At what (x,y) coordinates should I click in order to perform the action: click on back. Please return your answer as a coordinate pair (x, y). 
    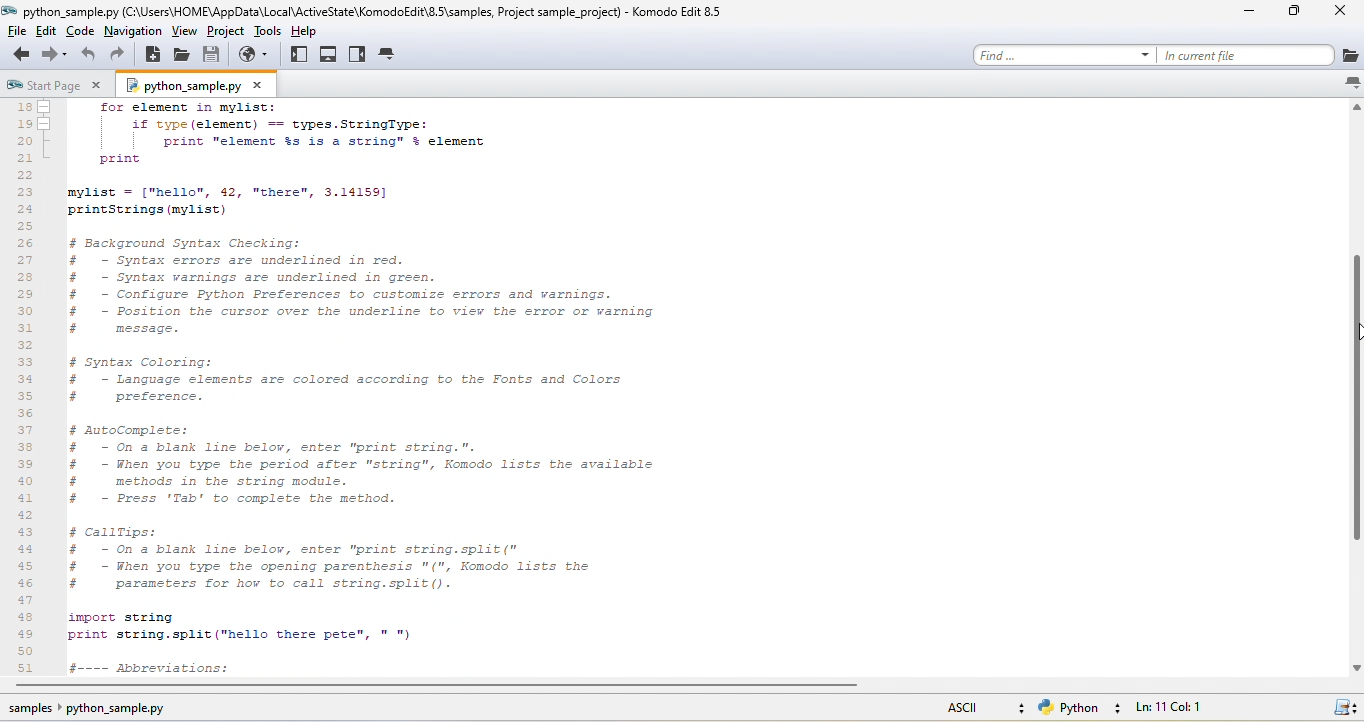
    Looking at the image, I should click on (18, 55).